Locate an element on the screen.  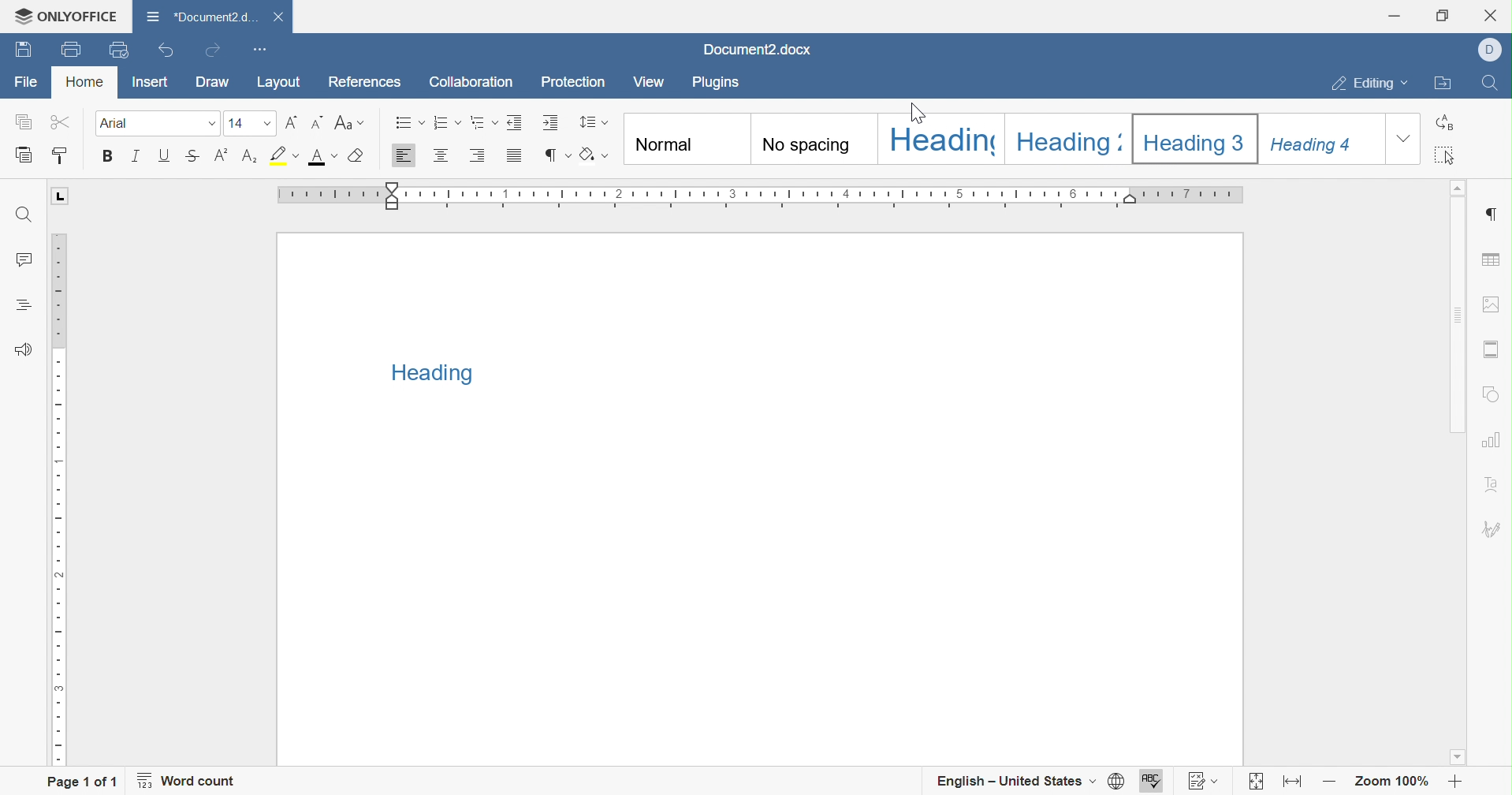
Redo is located at coordinates (213, 49).